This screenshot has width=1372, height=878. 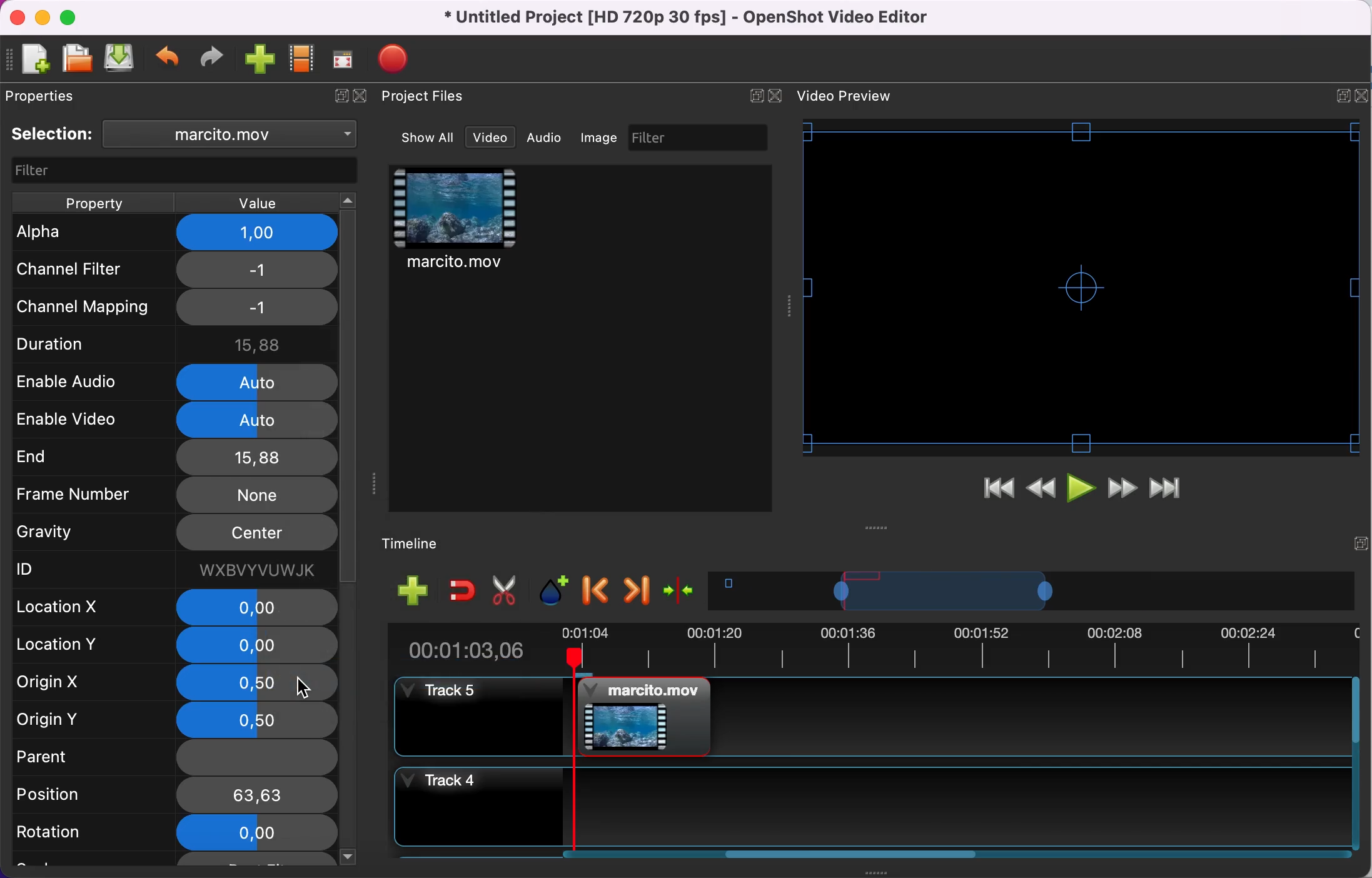 I want to click on frame number none, so click(x=174, y=494).